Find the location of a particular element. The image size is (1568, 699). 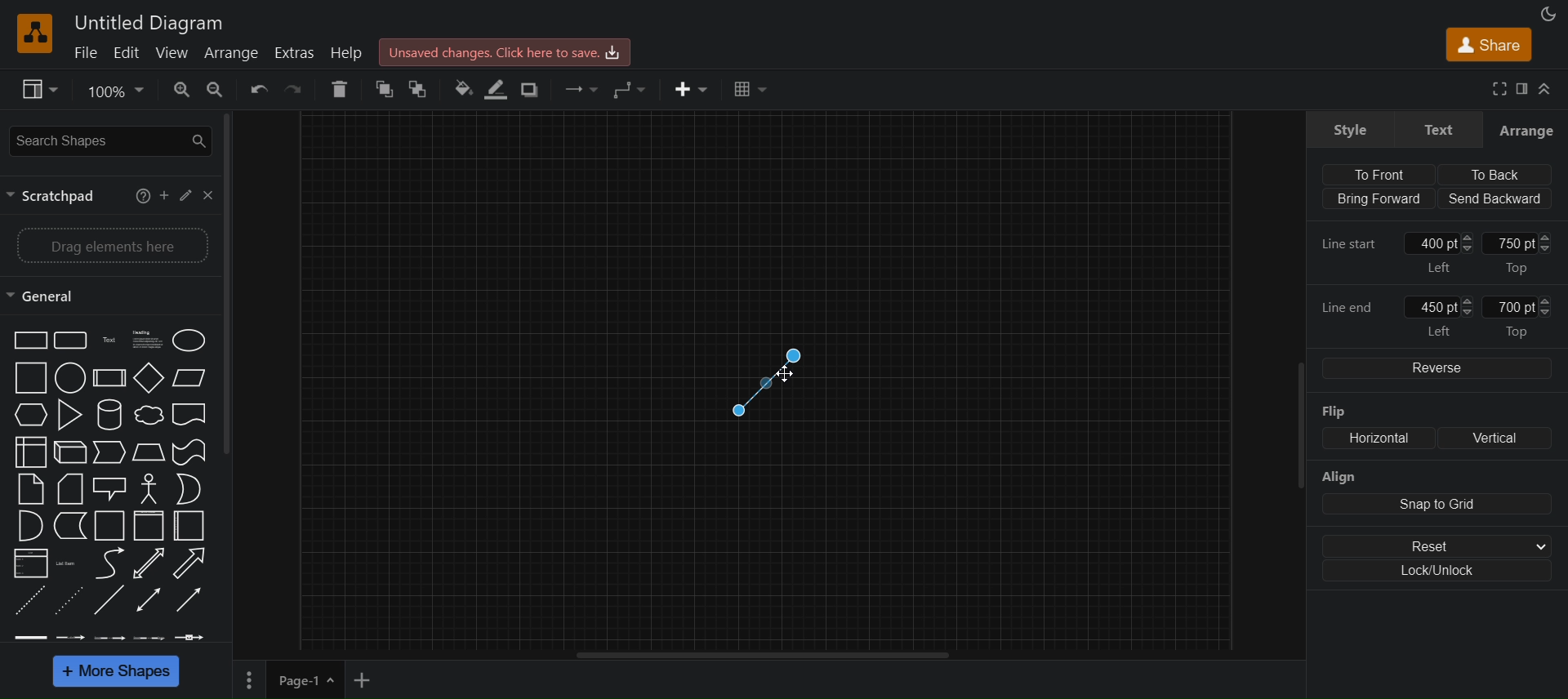

send backward is located at coordinates (1495, 198).